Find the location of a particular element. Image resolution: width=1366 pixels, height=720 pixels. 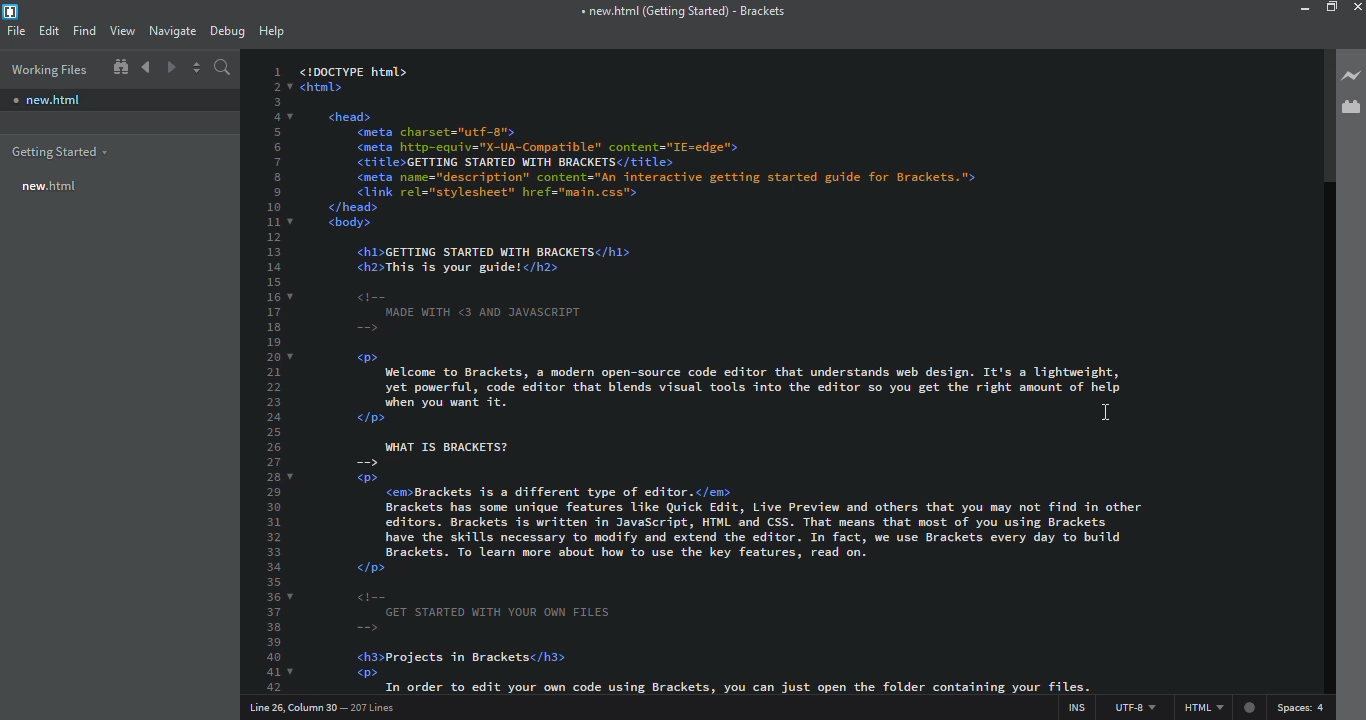

getting started is located at coordinates (61, 152).